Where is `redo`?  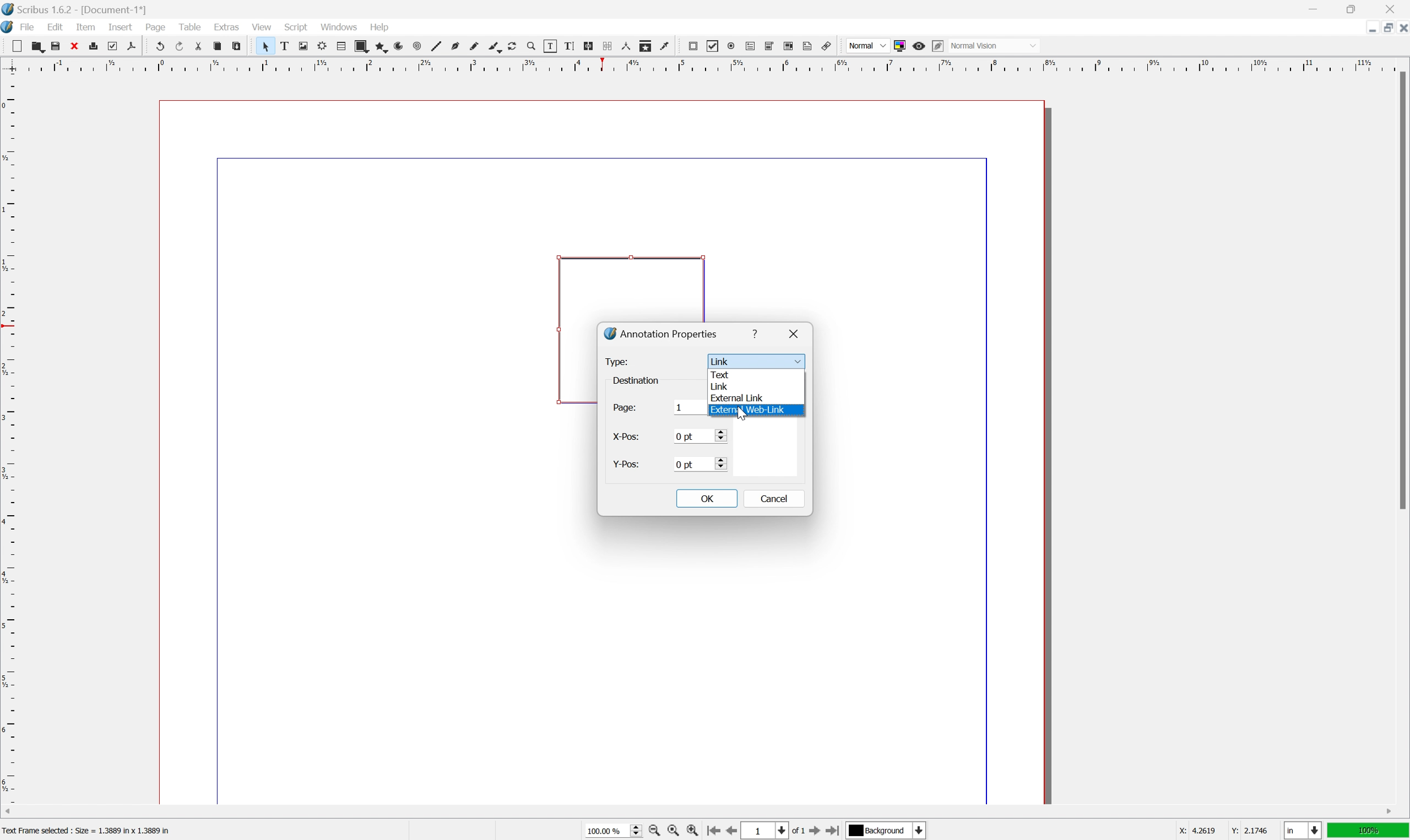 redo is located at coordinates (179, 45).